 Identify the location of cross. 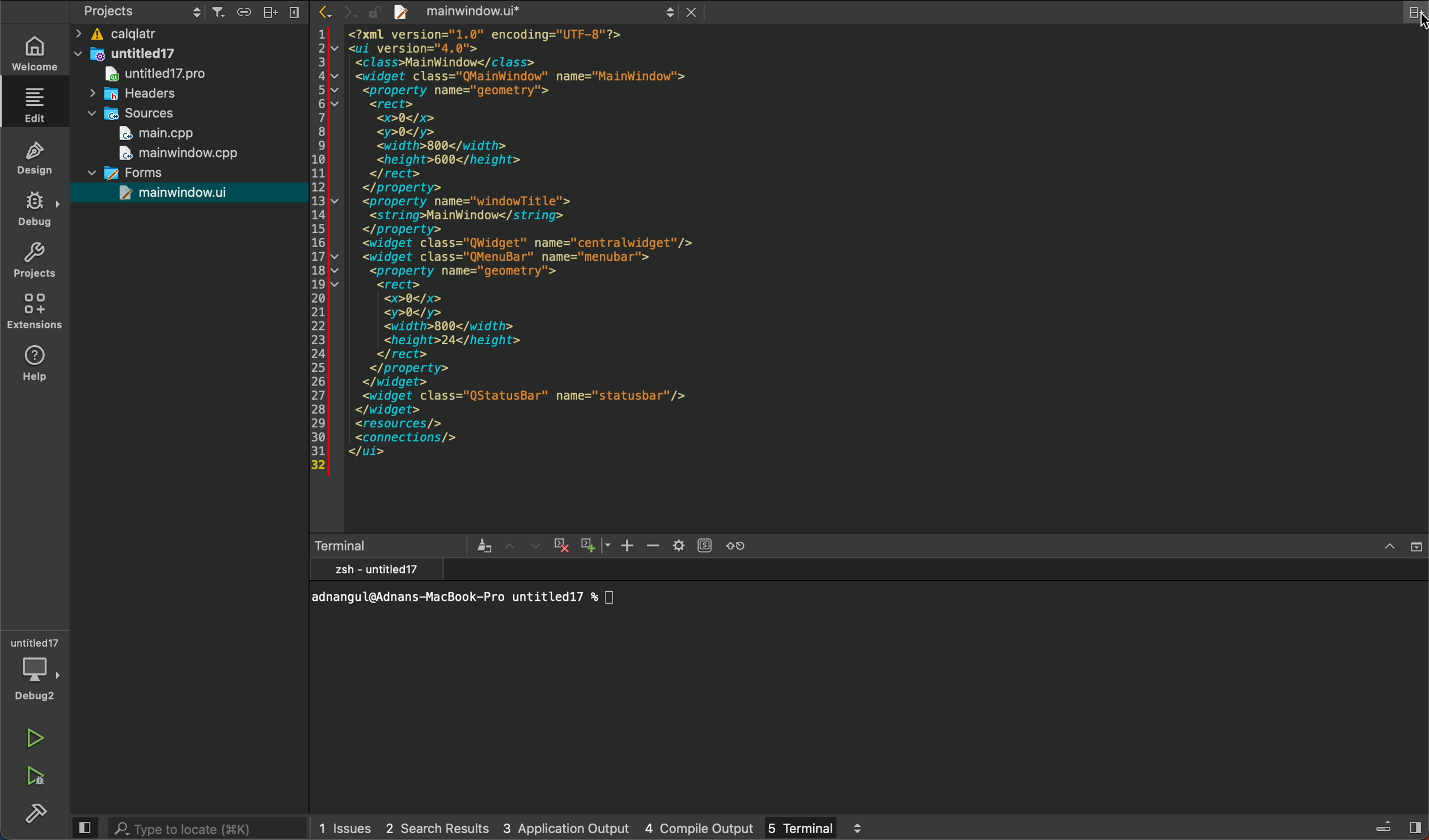
(559, 546).